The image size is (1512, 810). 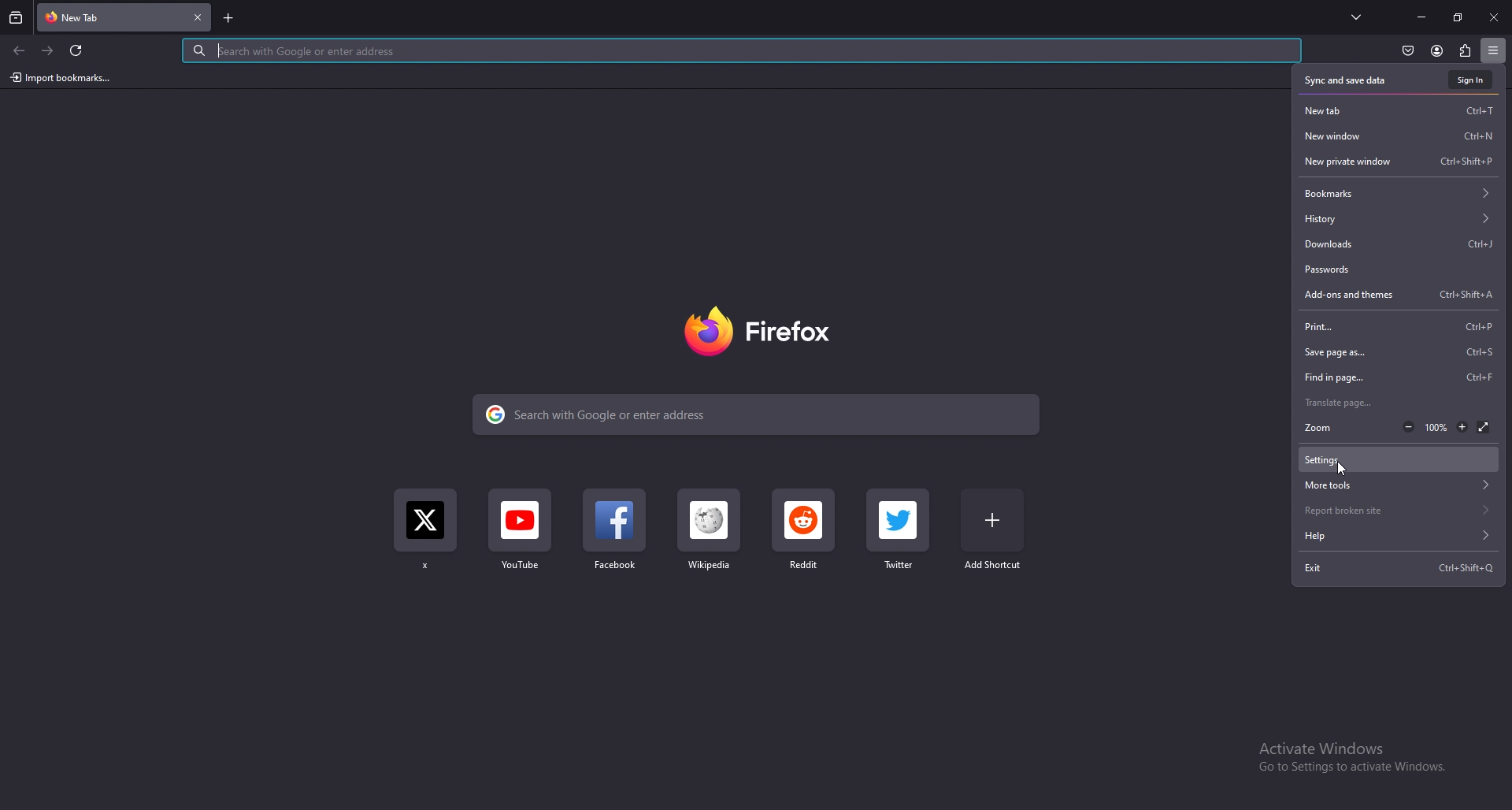 What do you see at coordinates (1400, 269) in the screenshot?
I see `passwords` at bounding box center [1400, 269].